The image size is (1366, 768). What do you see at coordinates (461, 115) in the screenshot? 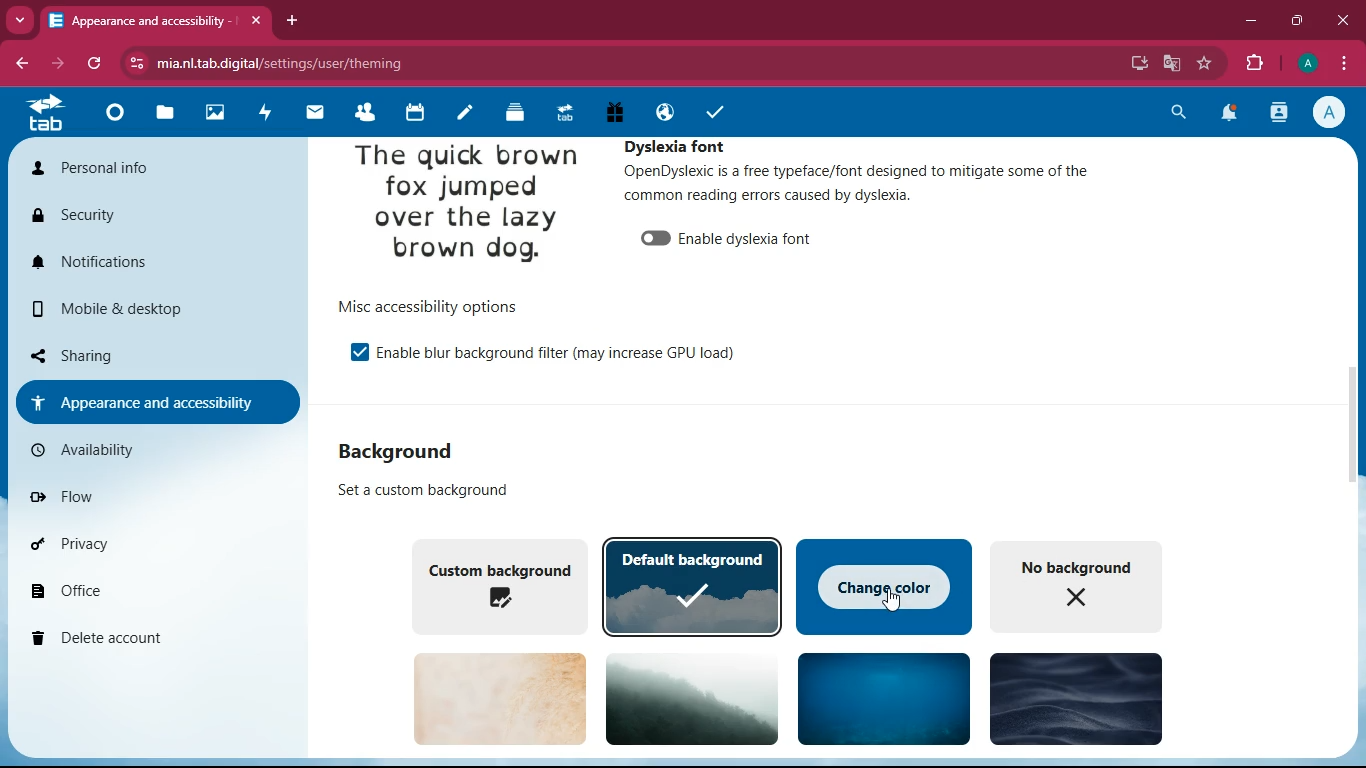
I see `notes` at bounding box center [461, 115].